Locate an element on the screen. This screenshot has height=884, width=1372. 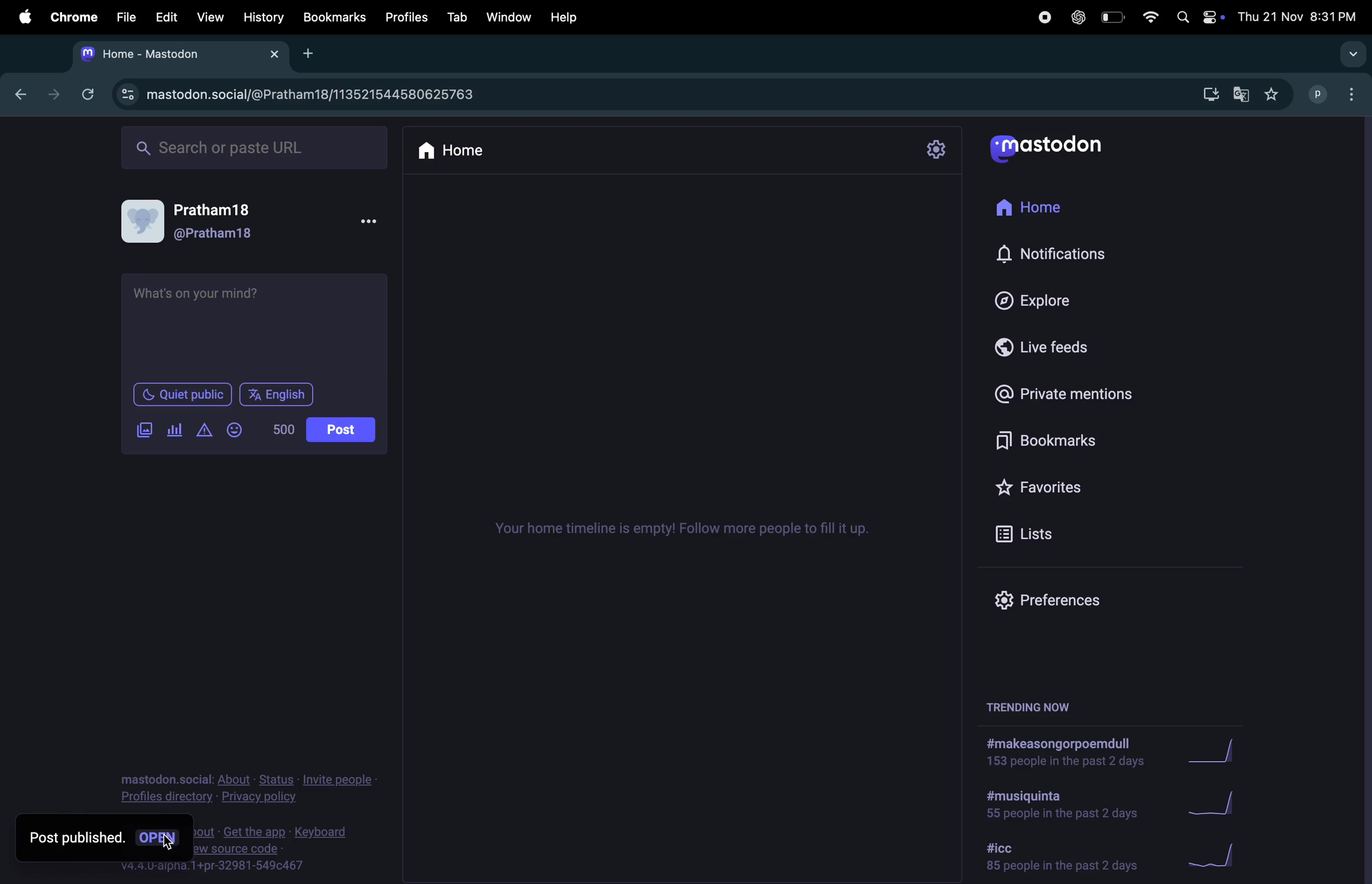
home is located at coordinates (1033, 210).